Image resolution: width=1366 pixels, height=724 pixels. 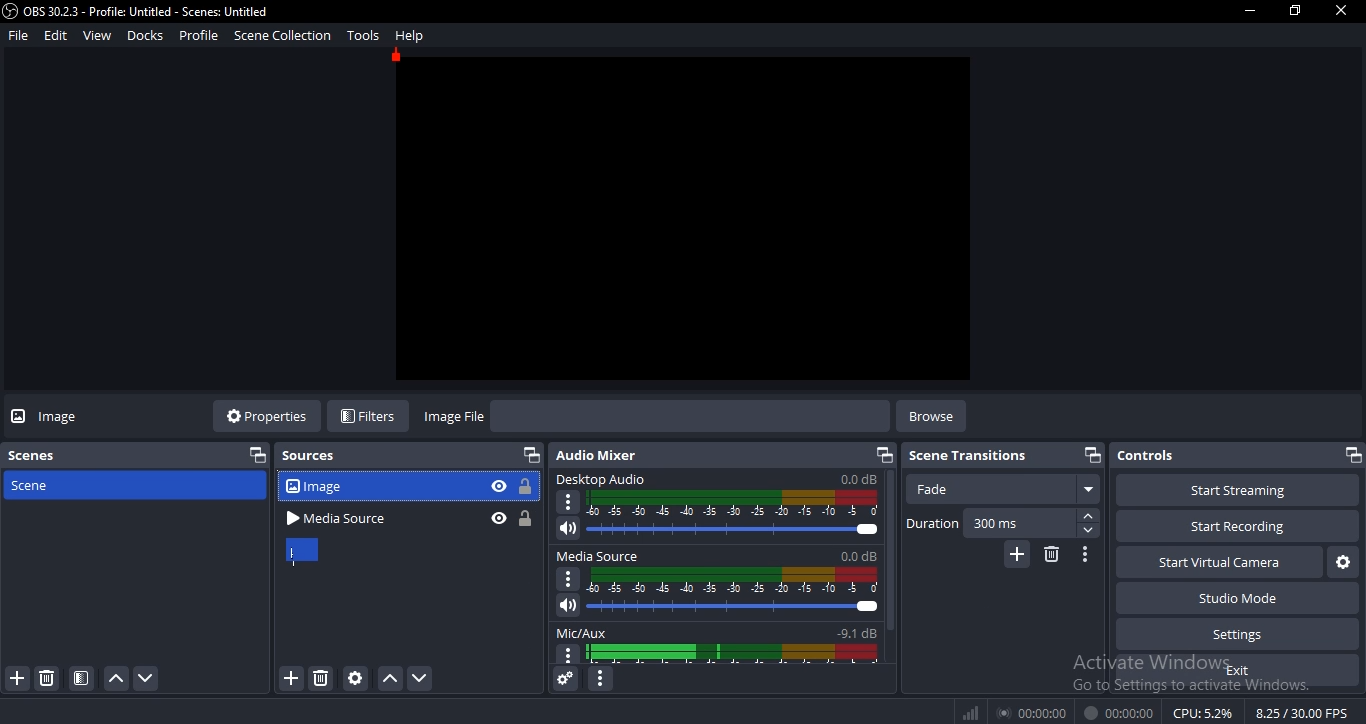 I want to click on restore, so click(x=1094, y=454).